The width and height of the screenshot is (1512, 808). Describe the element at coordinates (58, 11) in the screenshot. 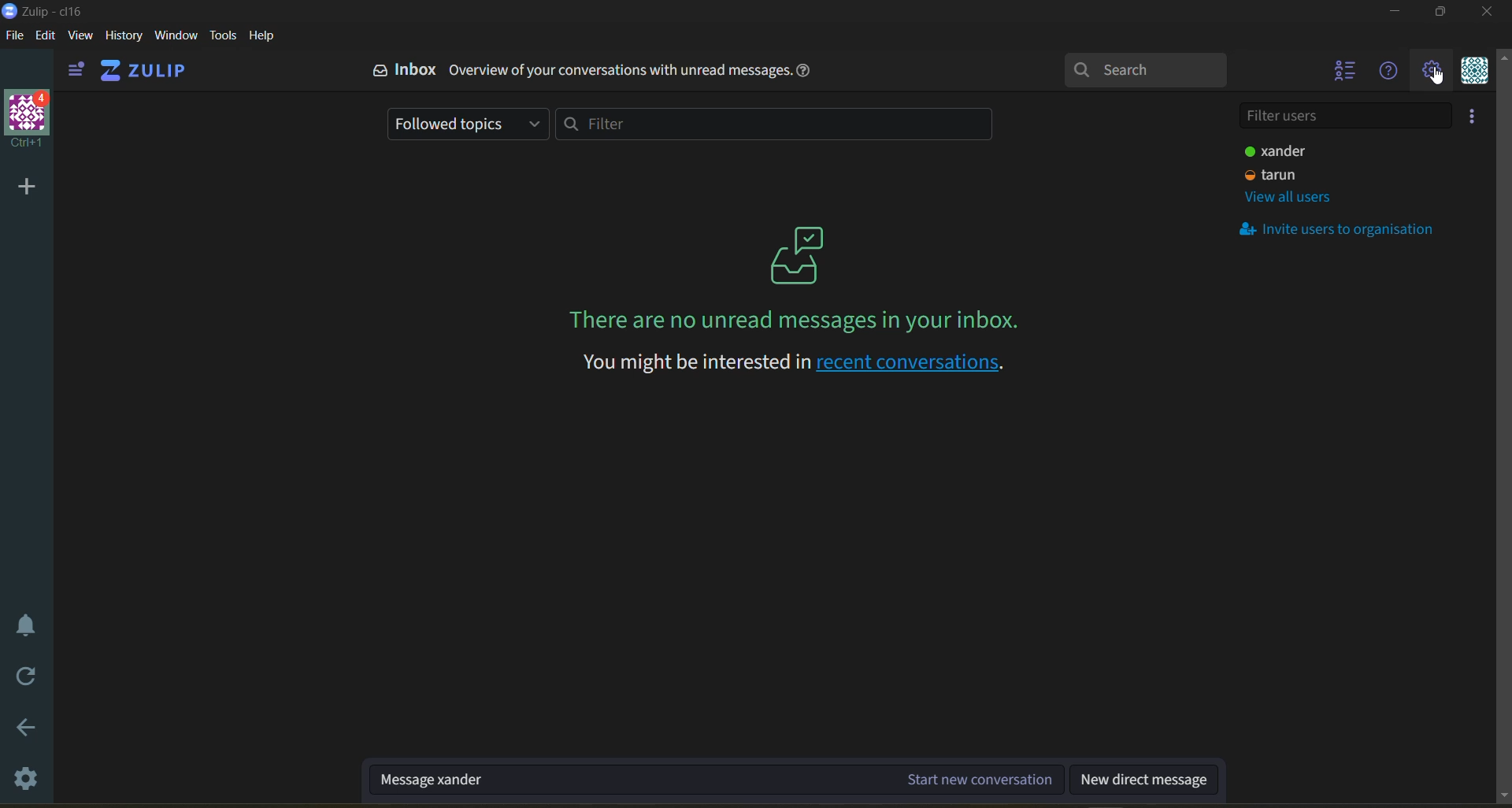

I see `app name and organisation name` at that location.